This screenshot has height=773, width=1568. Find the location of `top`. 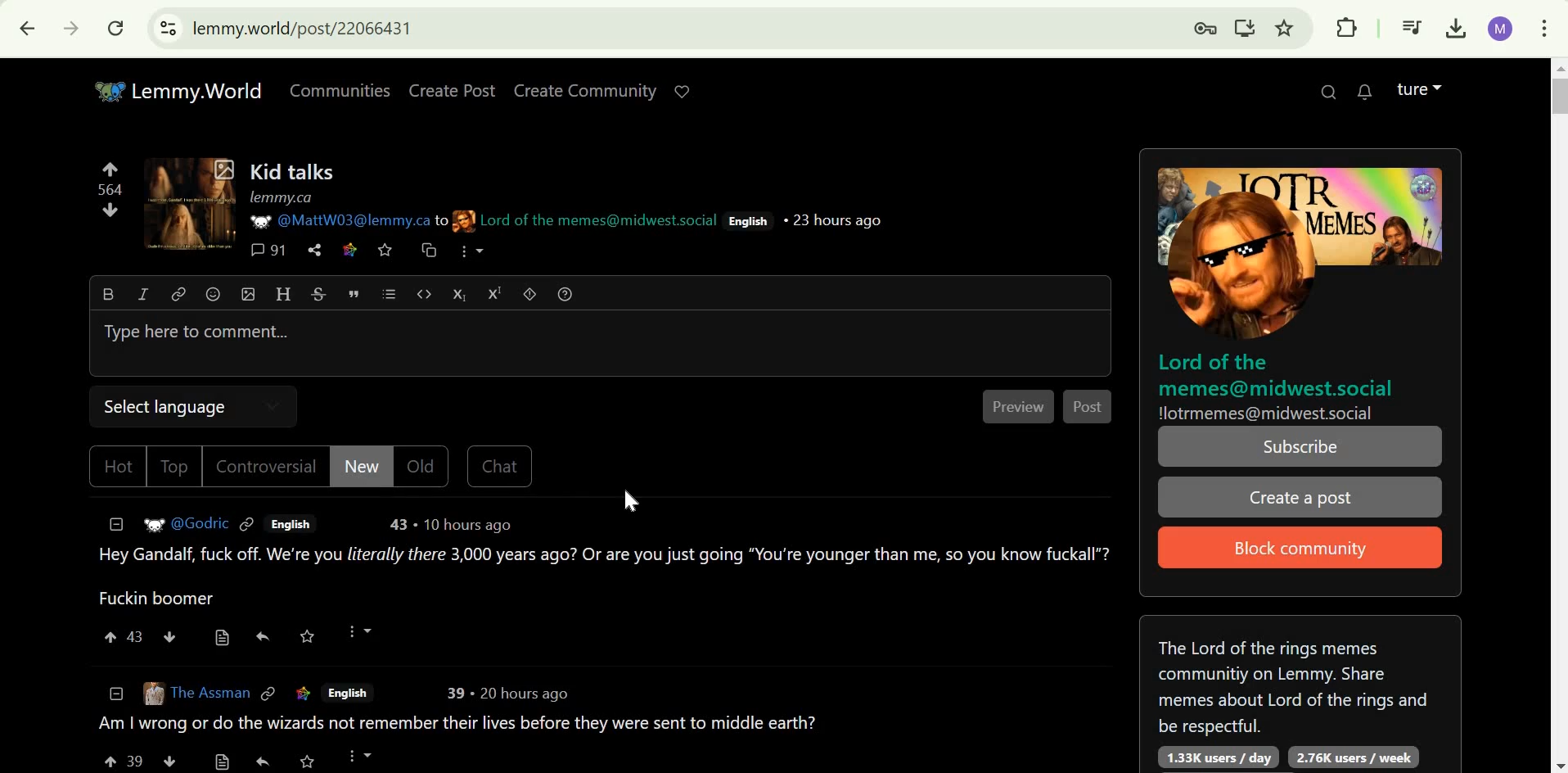

top is located at coordinates (175, 468).